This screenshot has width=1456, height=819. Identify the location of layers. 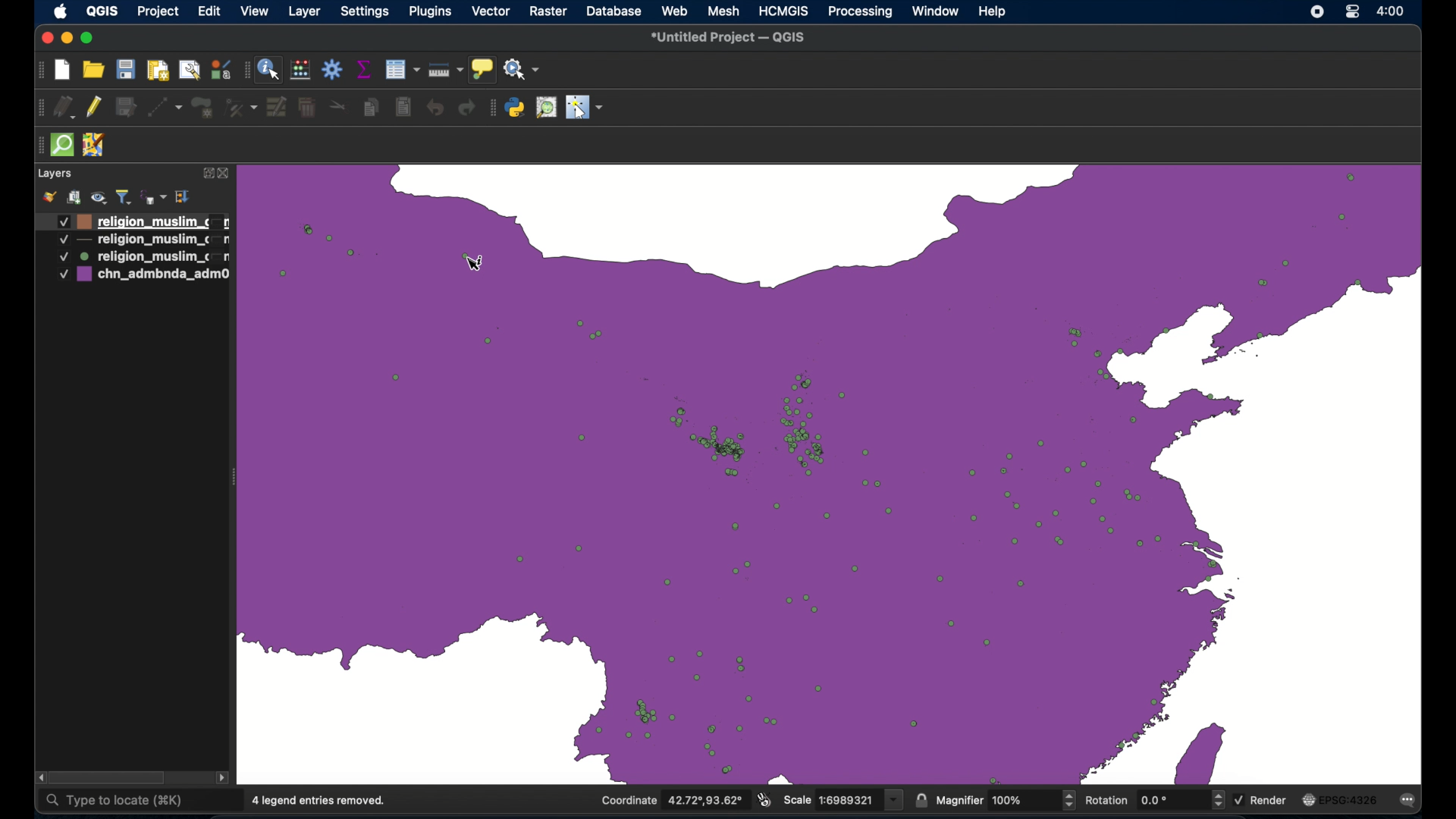
(55, 172).